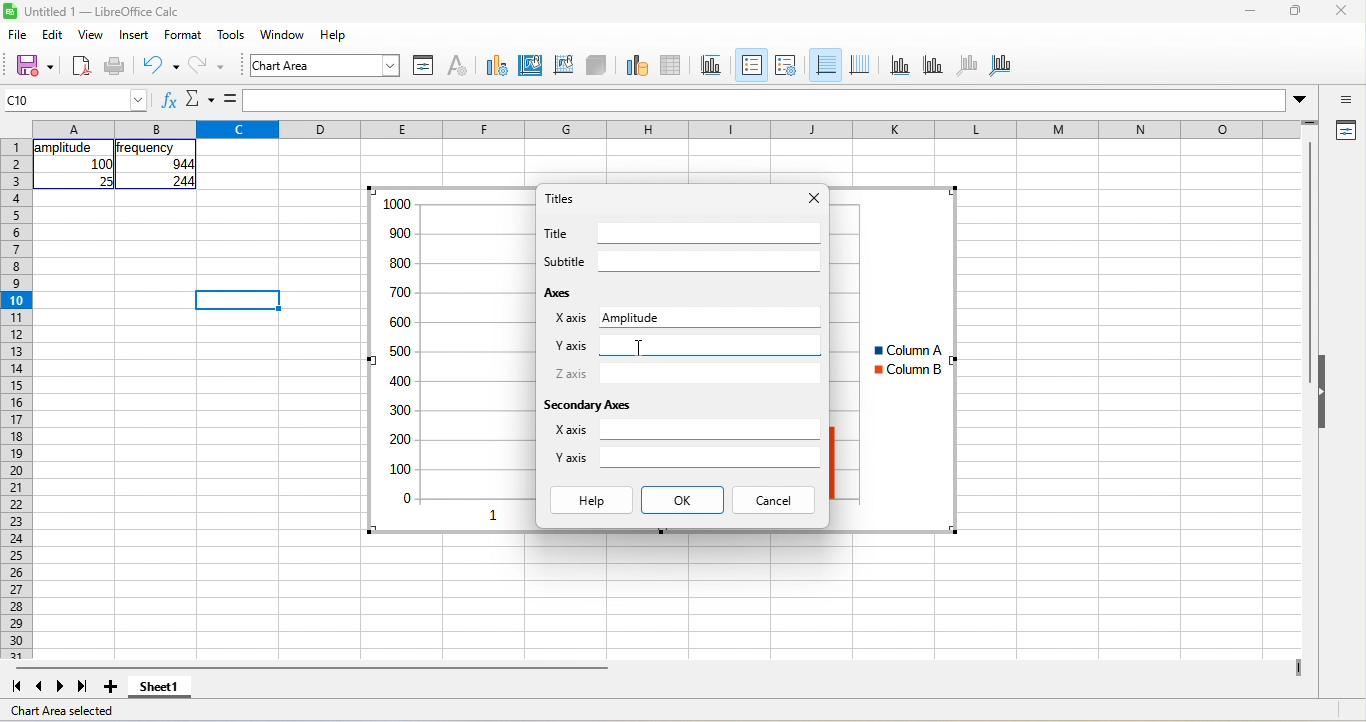  I want to click on X axis, so click(571, 318).